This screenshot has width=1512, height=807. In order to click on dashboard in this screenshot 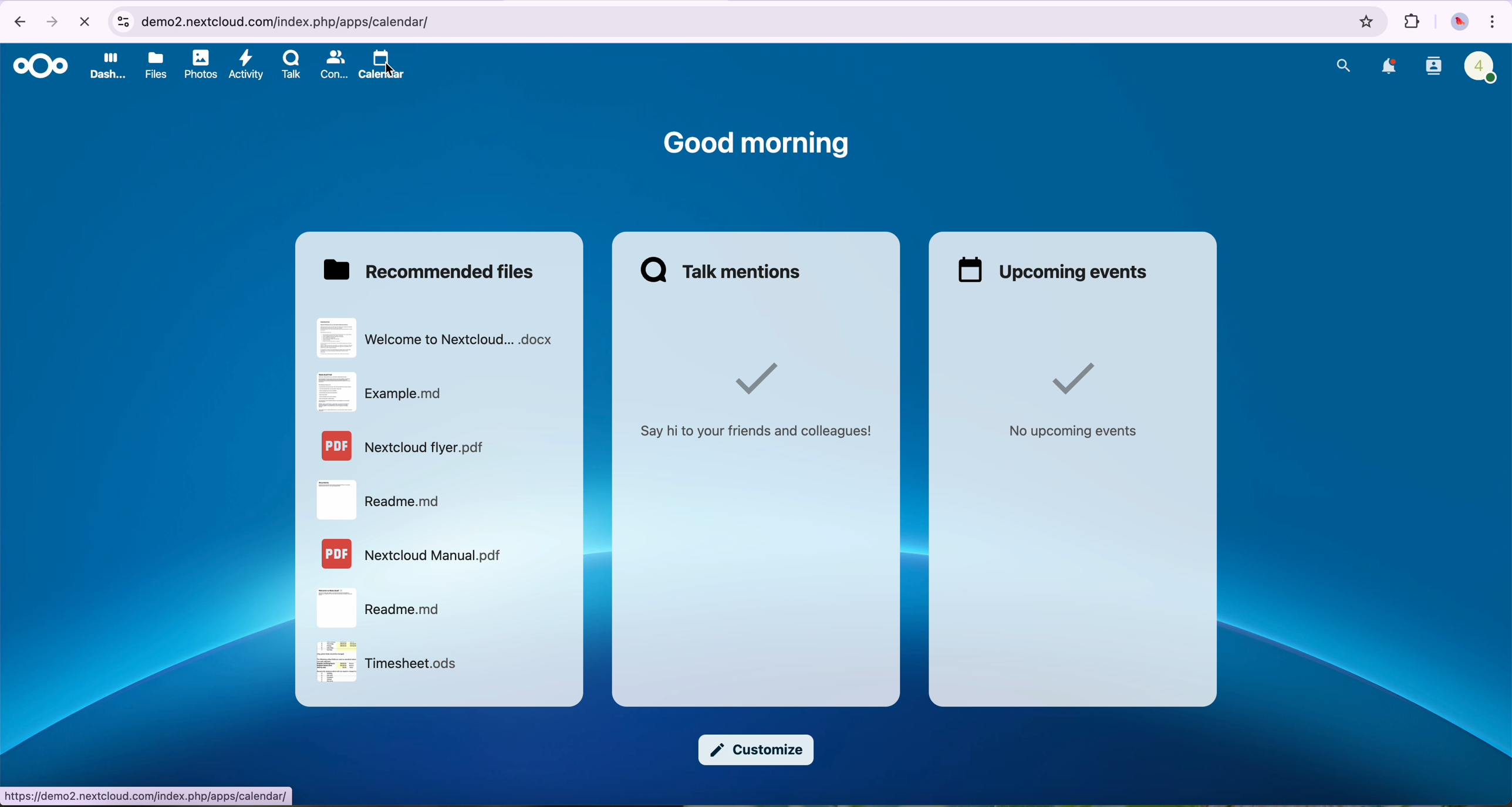, I will do `click(107, 67)`.